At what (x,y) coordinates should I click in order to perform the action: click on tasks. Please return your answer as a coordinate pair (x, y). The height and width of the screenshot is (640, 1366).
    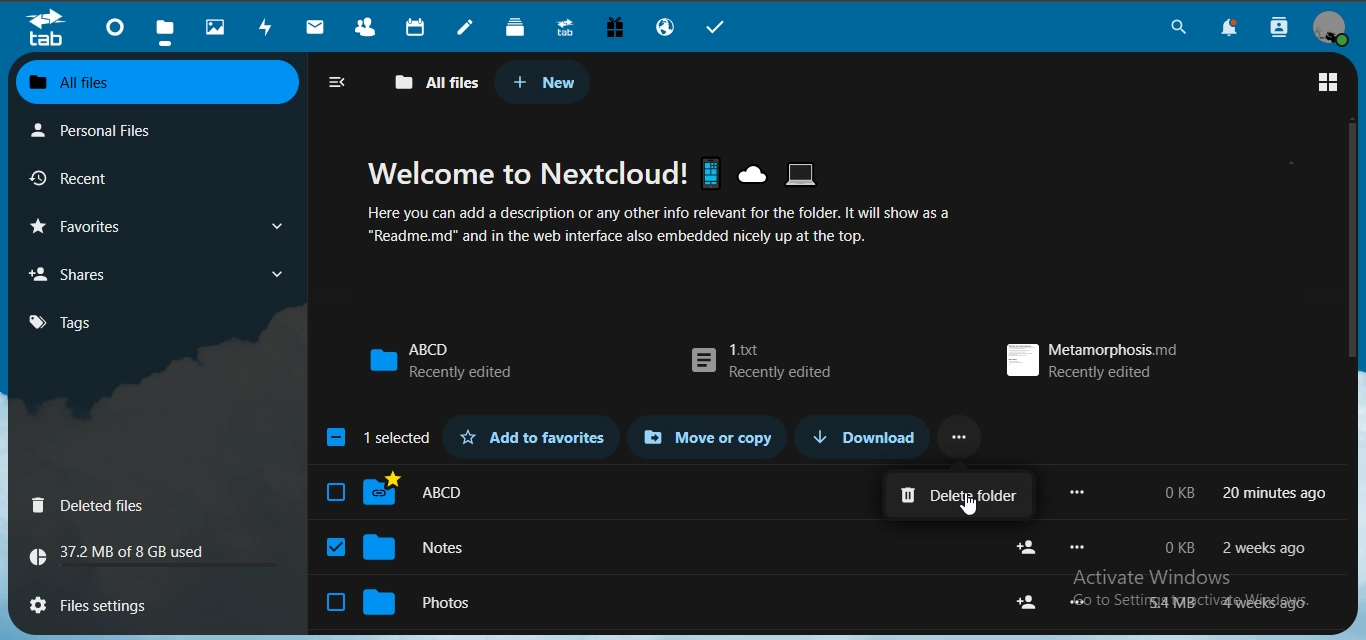
    Looking at the image, I should click on (719, 27).